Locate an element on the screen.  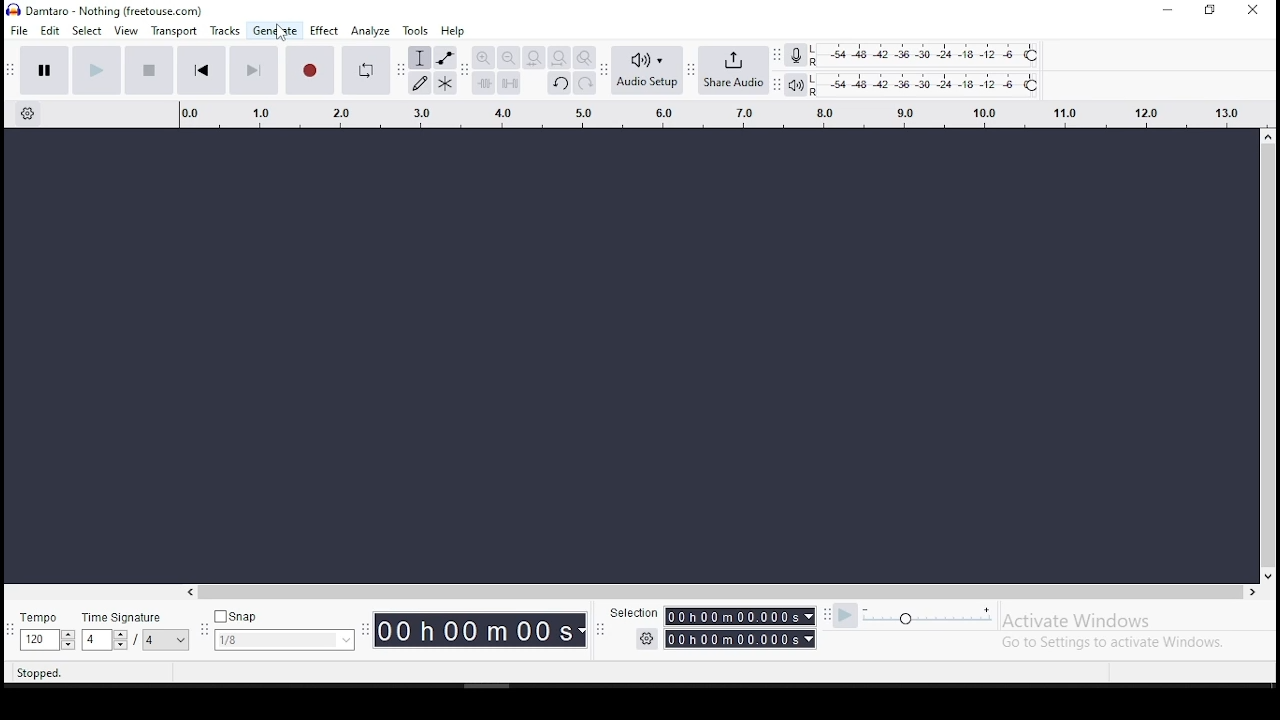
minimize is located at coordinates (1167, 11).